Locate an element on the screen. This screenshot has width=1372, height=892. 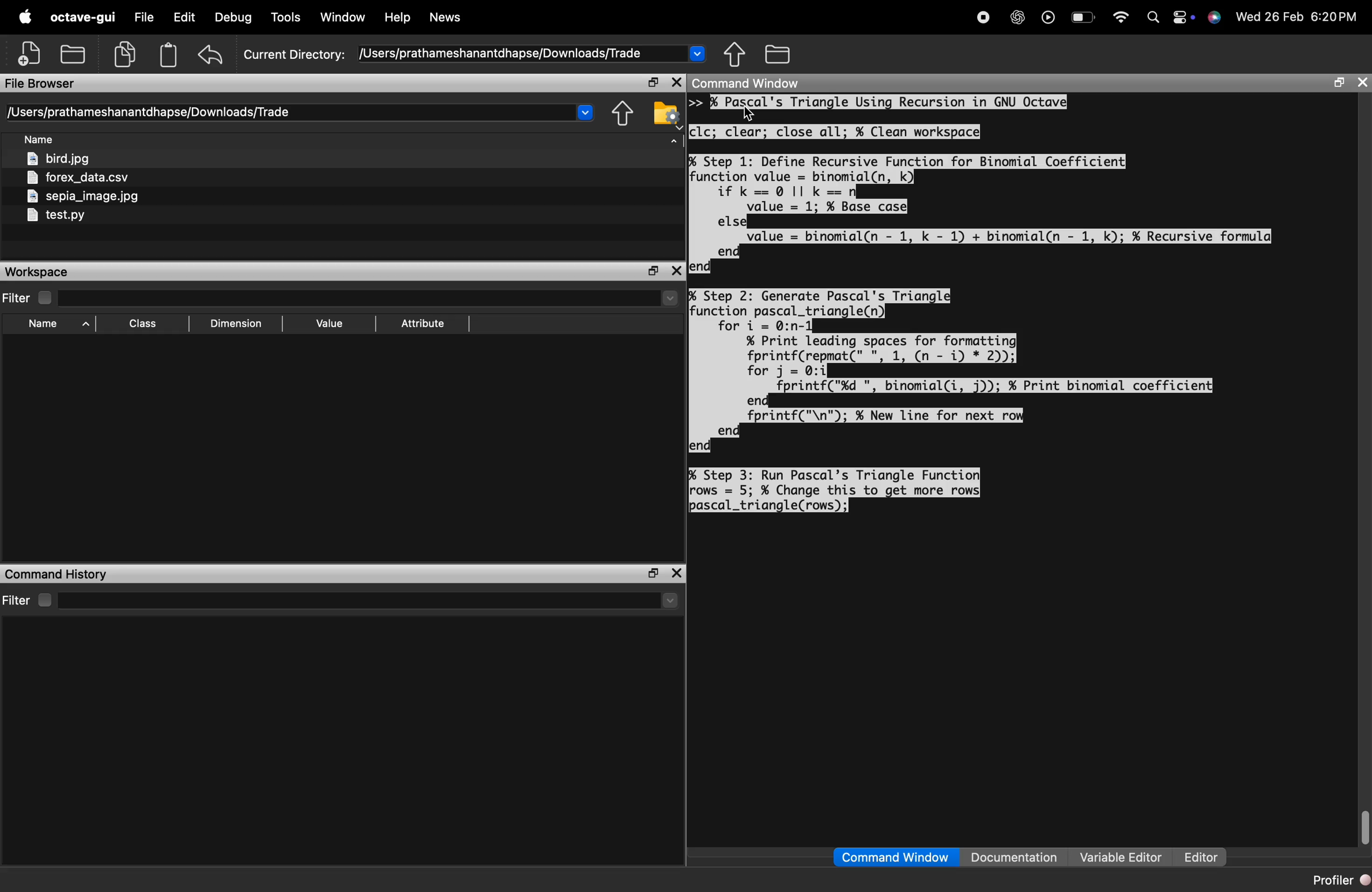
/Users/prathameshanantdhapse/Downloads/Trade is located at coordinates (148, 112).